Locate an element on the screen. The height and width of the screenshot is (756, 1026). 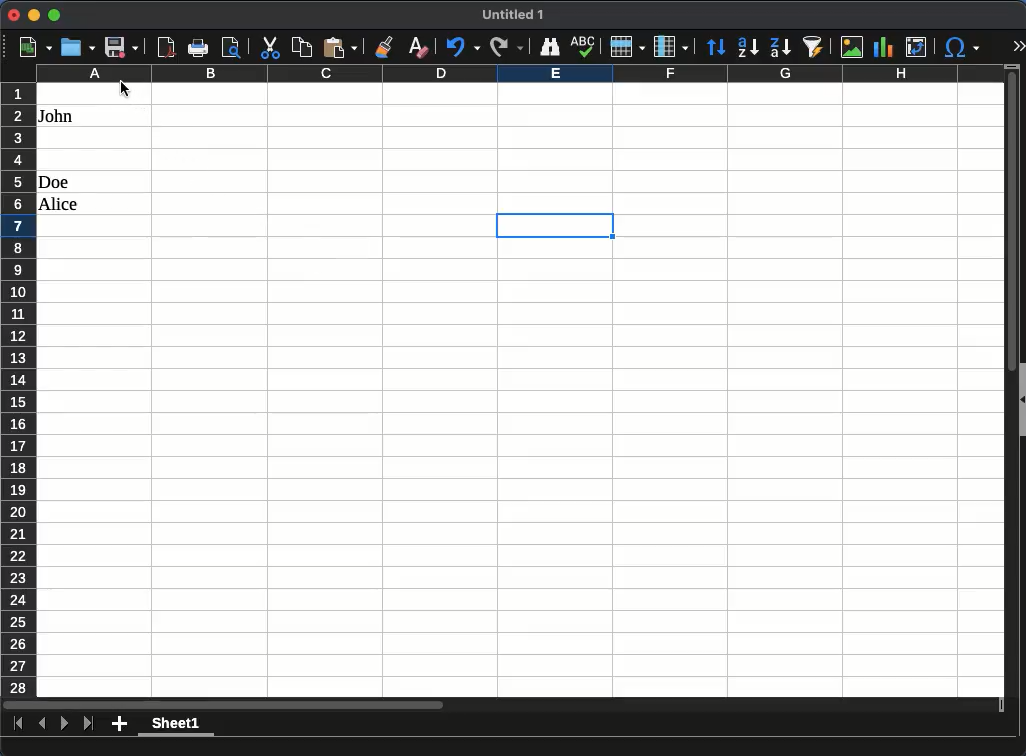
row is located at coordinates (626, 46).